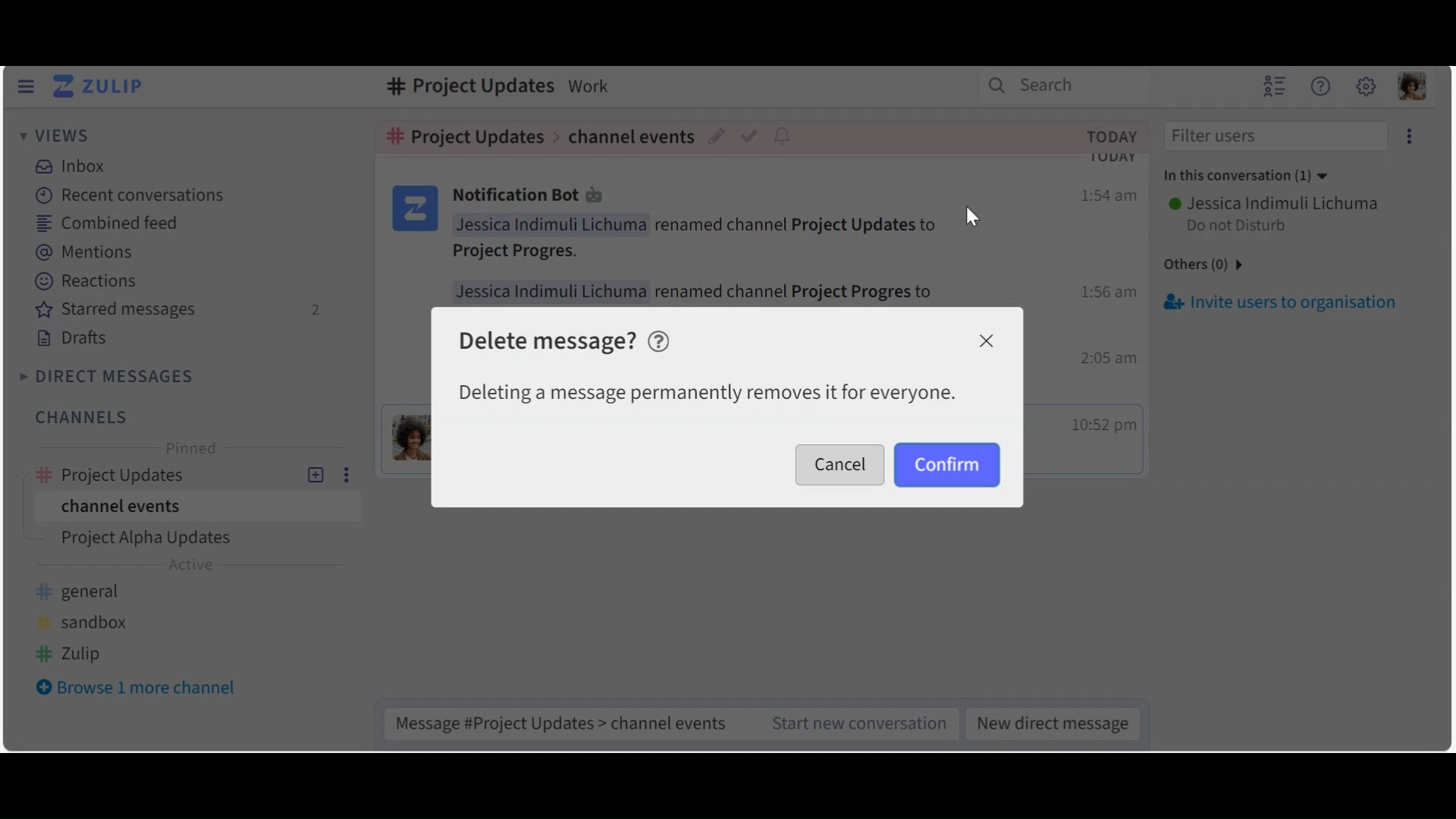 This screenshot has height=819, width=1456. What do you see at coordinates (1254, 177) in the screenshot?
I see `In this conversation` at bounding box center [1254, 177].